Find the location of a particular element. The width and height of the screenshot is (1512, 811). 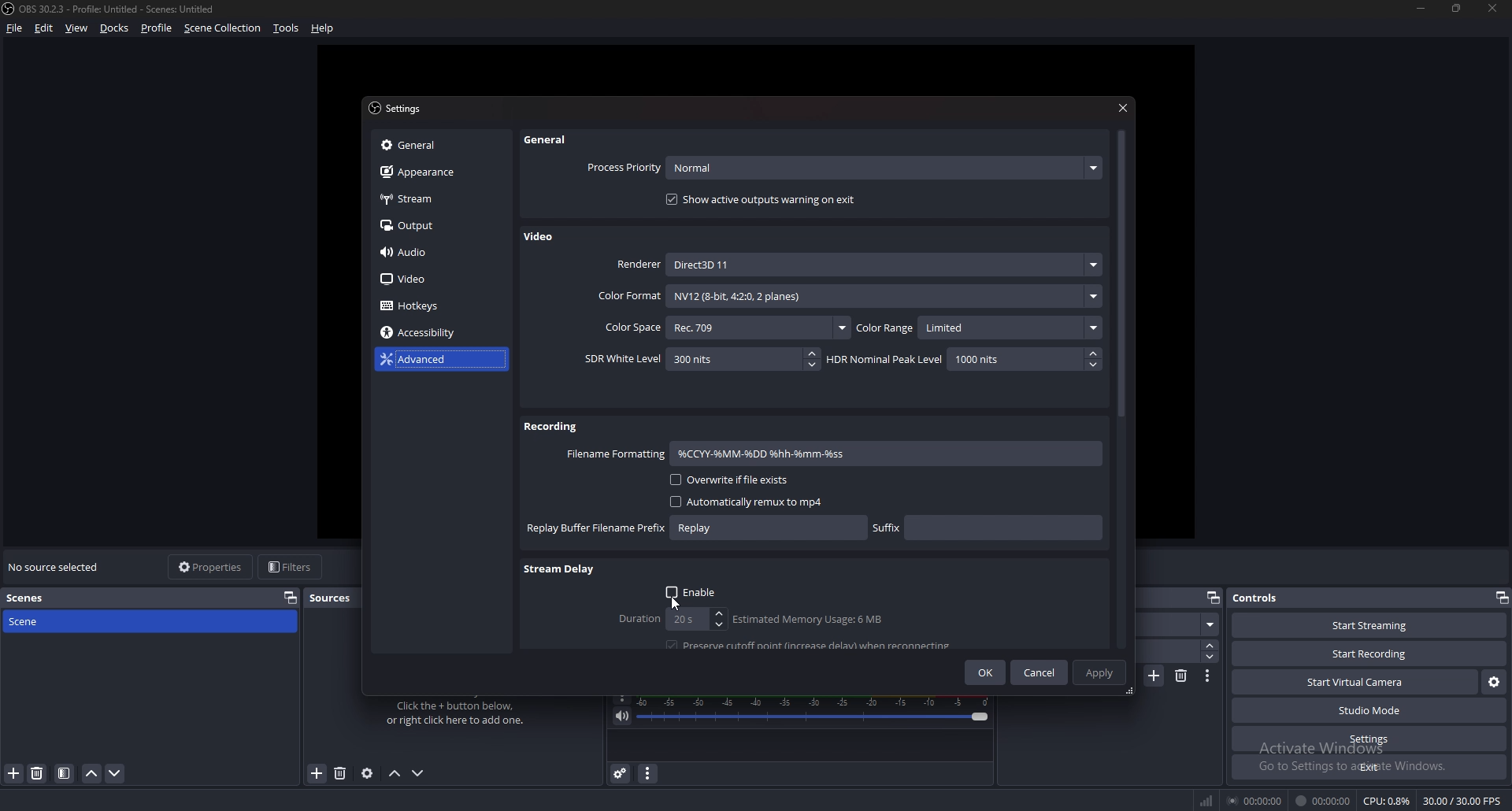

sources is located at coordinates (335, 598).